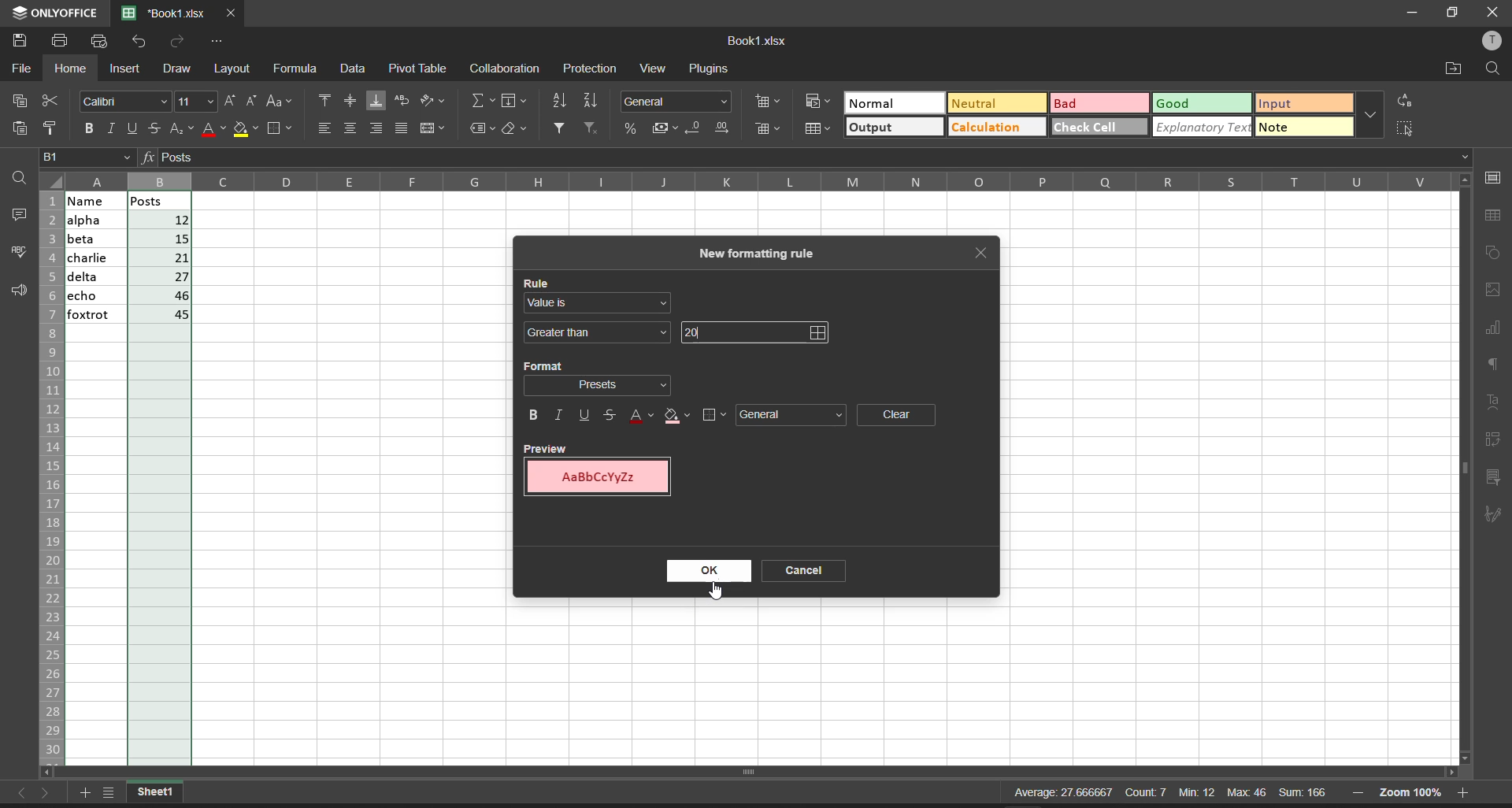 Image resolution: width=1512 pixels, height=808 pixels. I want to click on maximize, so click(1454, 13).